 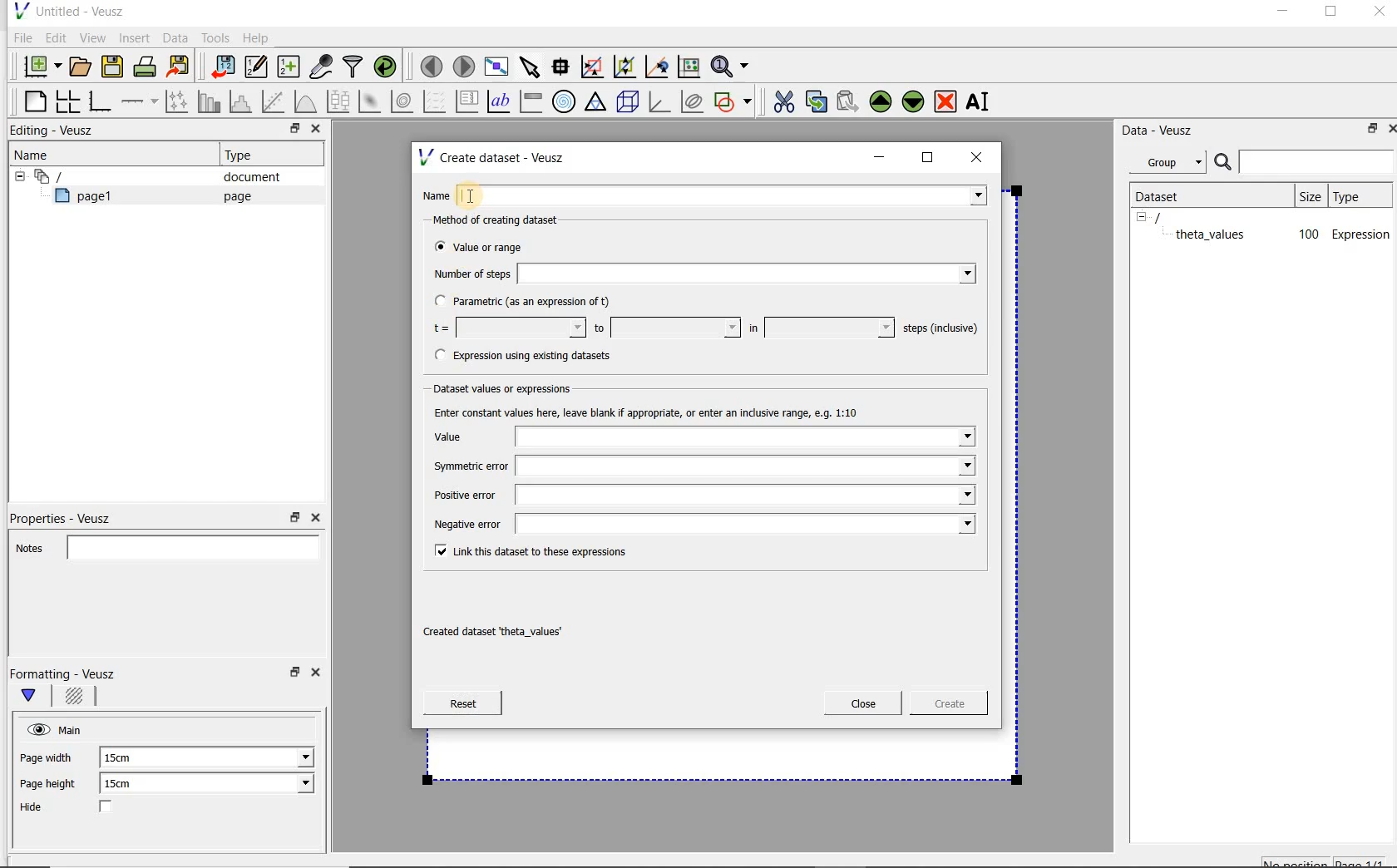 I want to click on t= , so click(x=506, y=328).